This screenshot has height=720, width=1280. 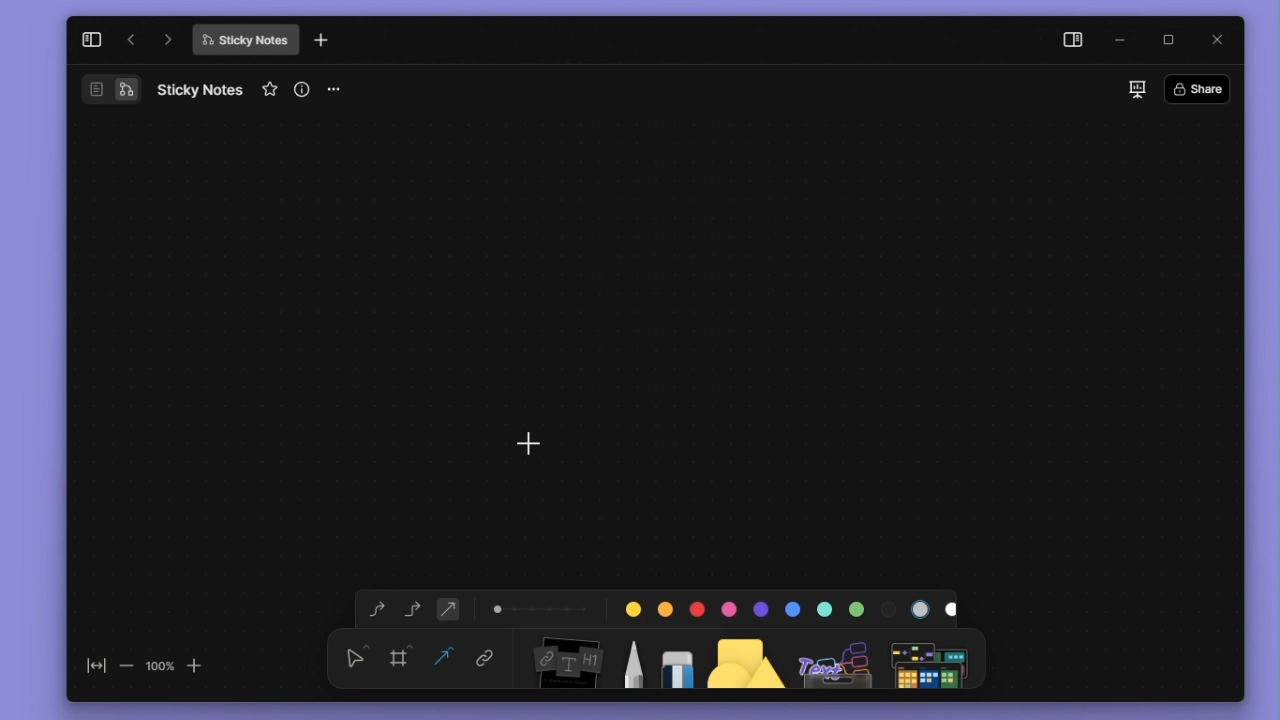 What do you see at coordinates (640, 324) in the screenshot?
I see `canvas grid` at bounding box center [640, 324].